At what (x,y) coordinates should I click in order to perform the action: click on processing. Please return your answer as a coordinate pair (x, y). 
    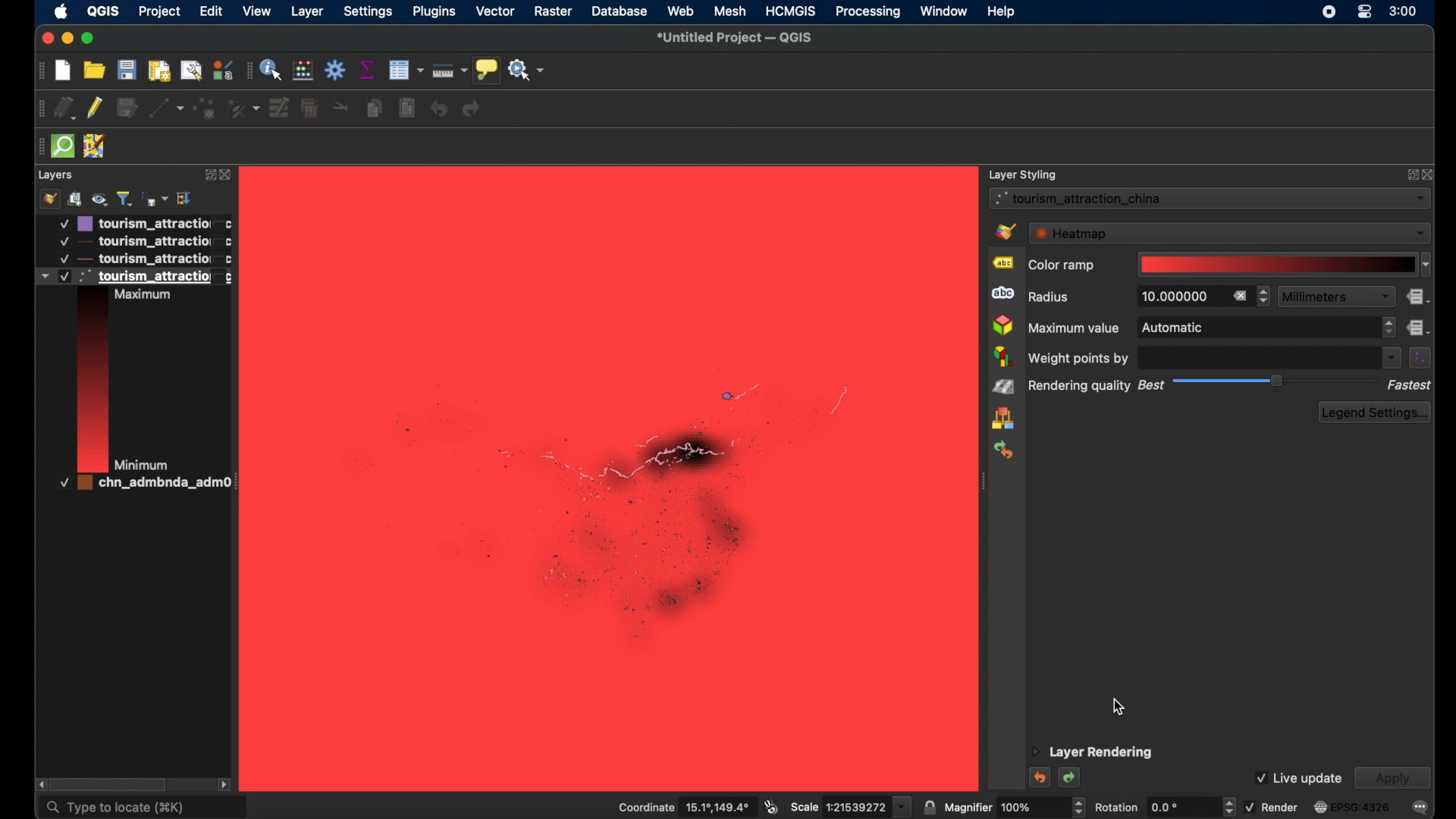
    Looking at the image, I should click on (867, 12).